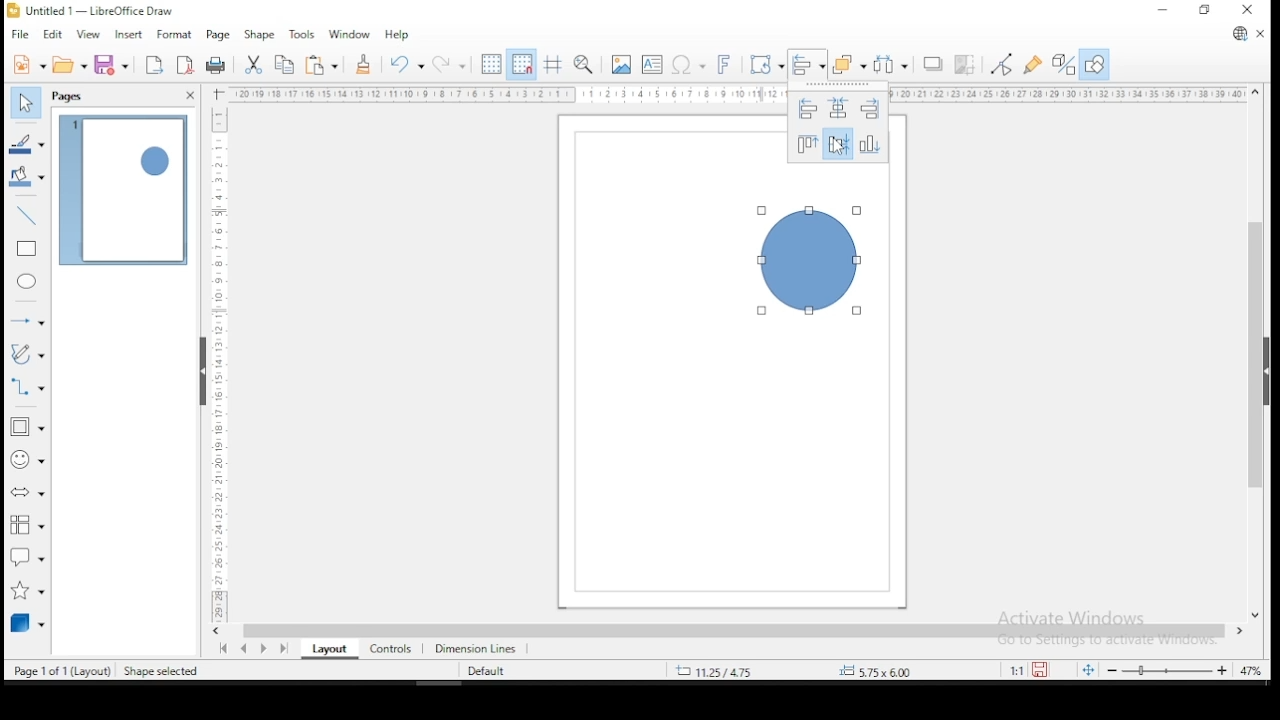 The image size is (1280, 720). What do you see at coordinates (404, 64) in the screenshot?
I see `undo` at bounding box center [404, 64].